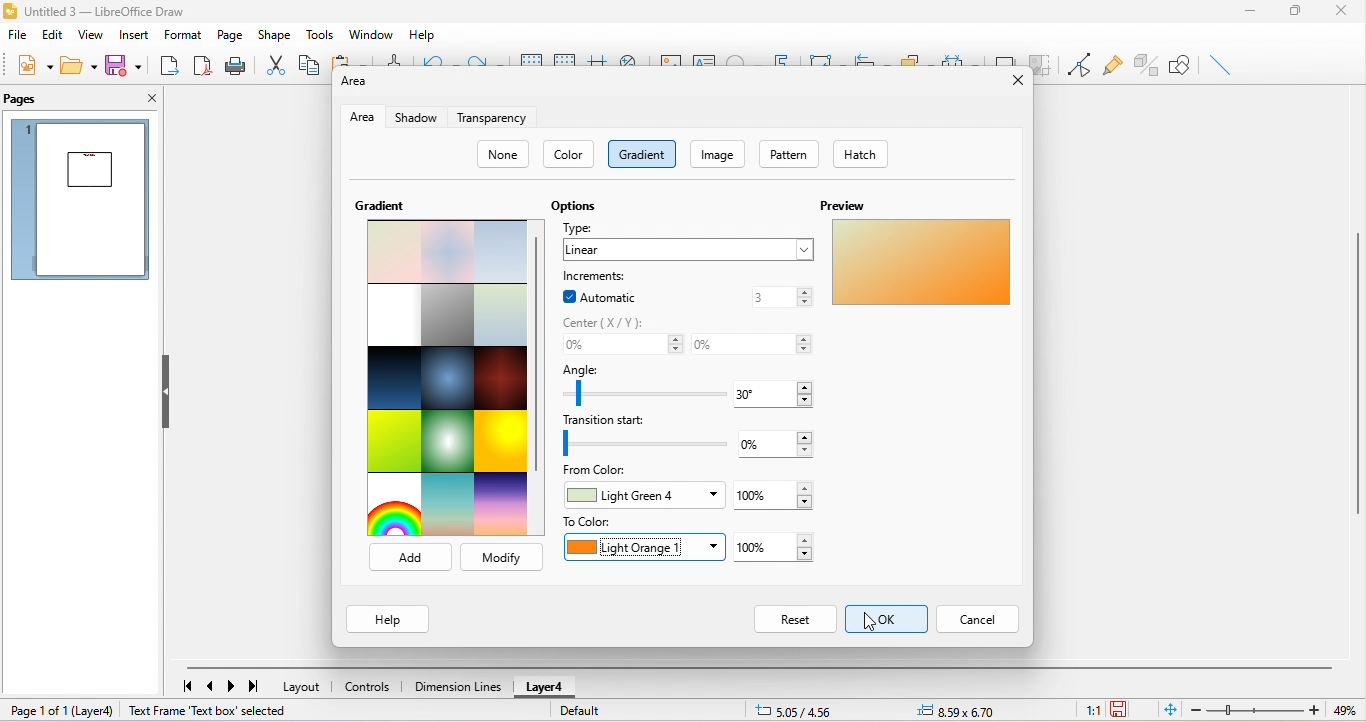 This screenshot has width=1366, height=722. I want to click on hatch, so click(864, 152).